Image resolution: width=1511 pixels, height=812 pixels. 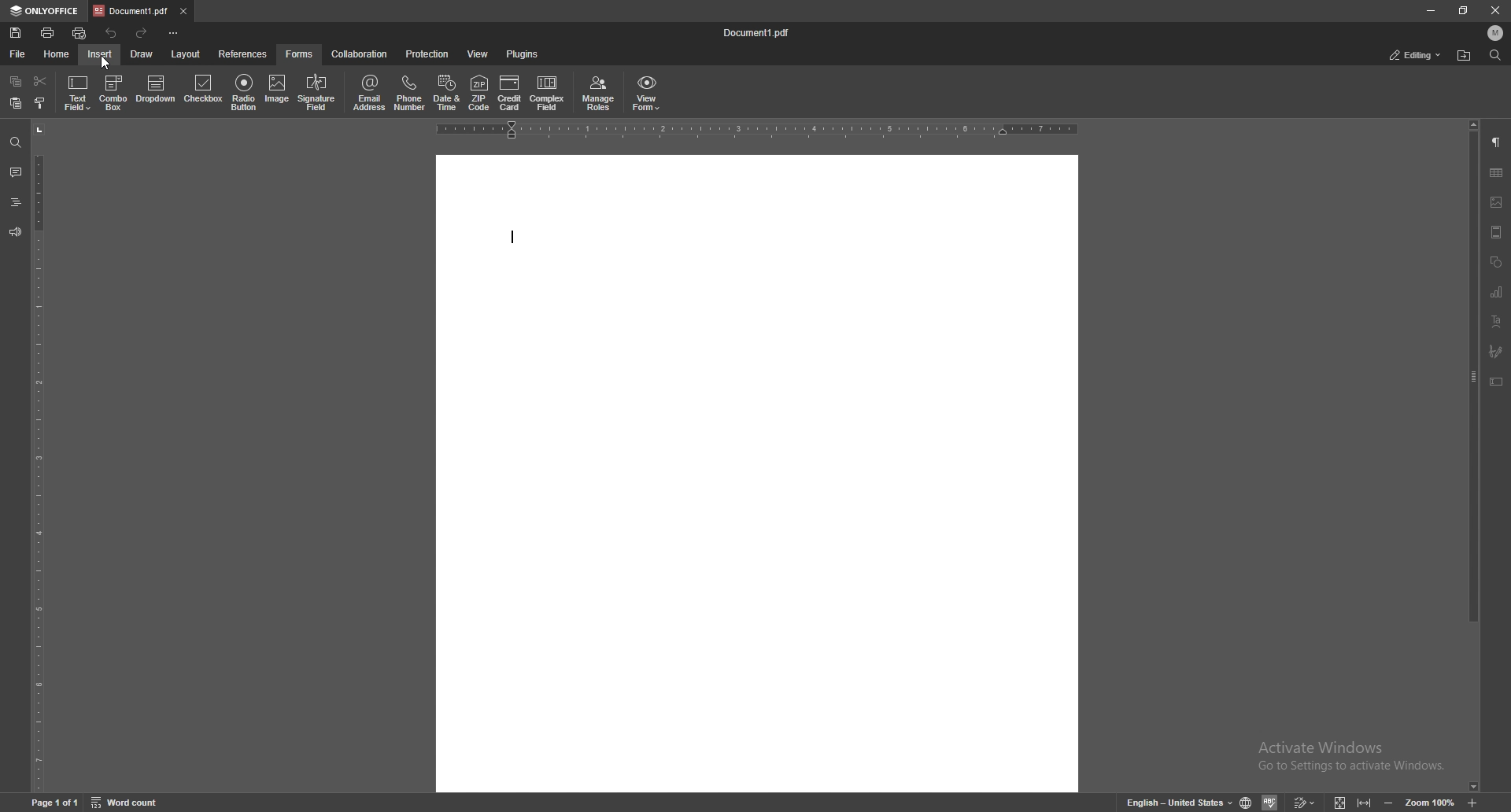 What do you see at coordinates (15, 231) in the screenshot?
I see `feedback` at bounding box center [15, 231].